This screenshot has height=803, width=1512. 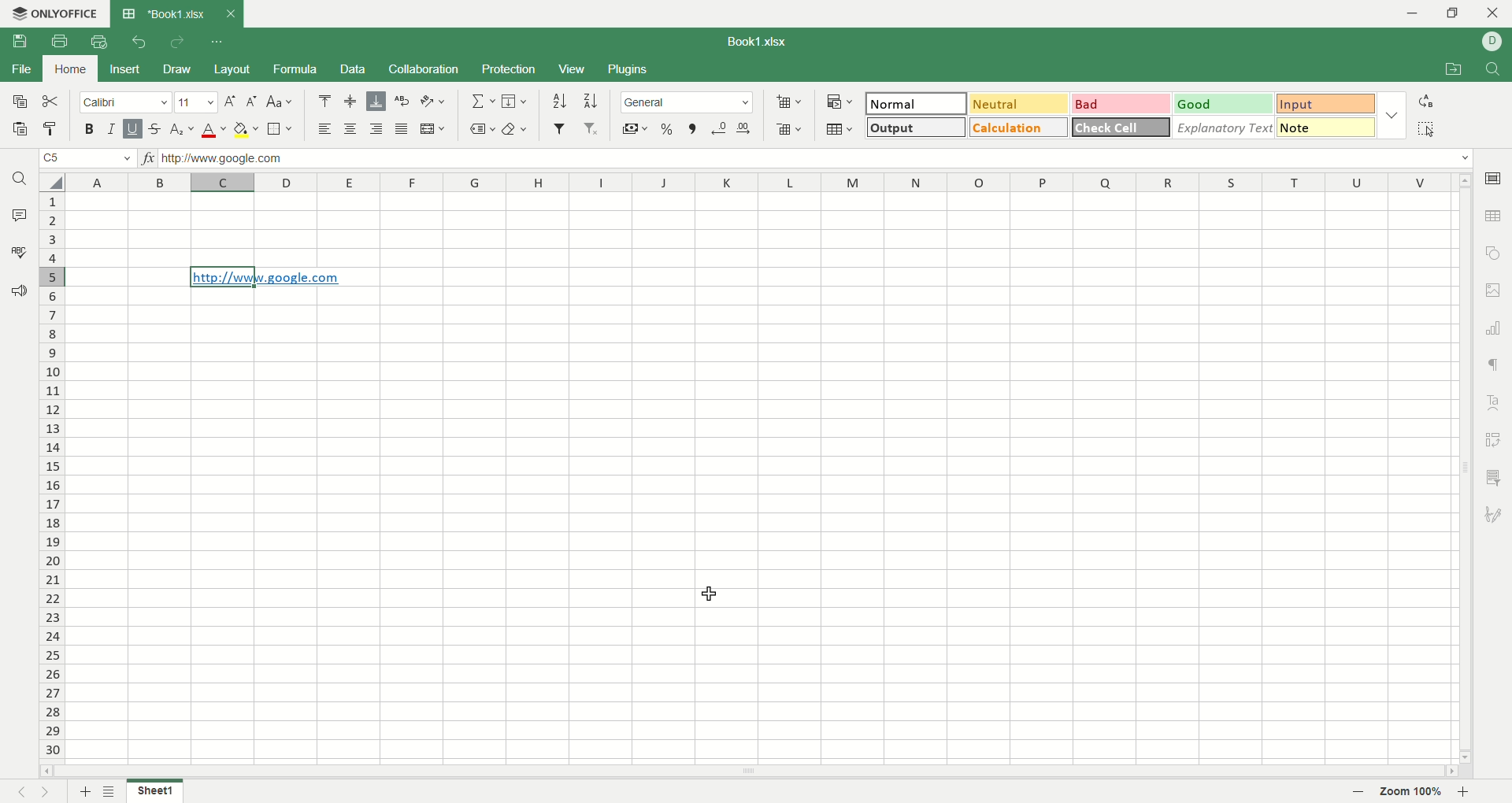 I want to click on input, so click(x=1326, y=105).